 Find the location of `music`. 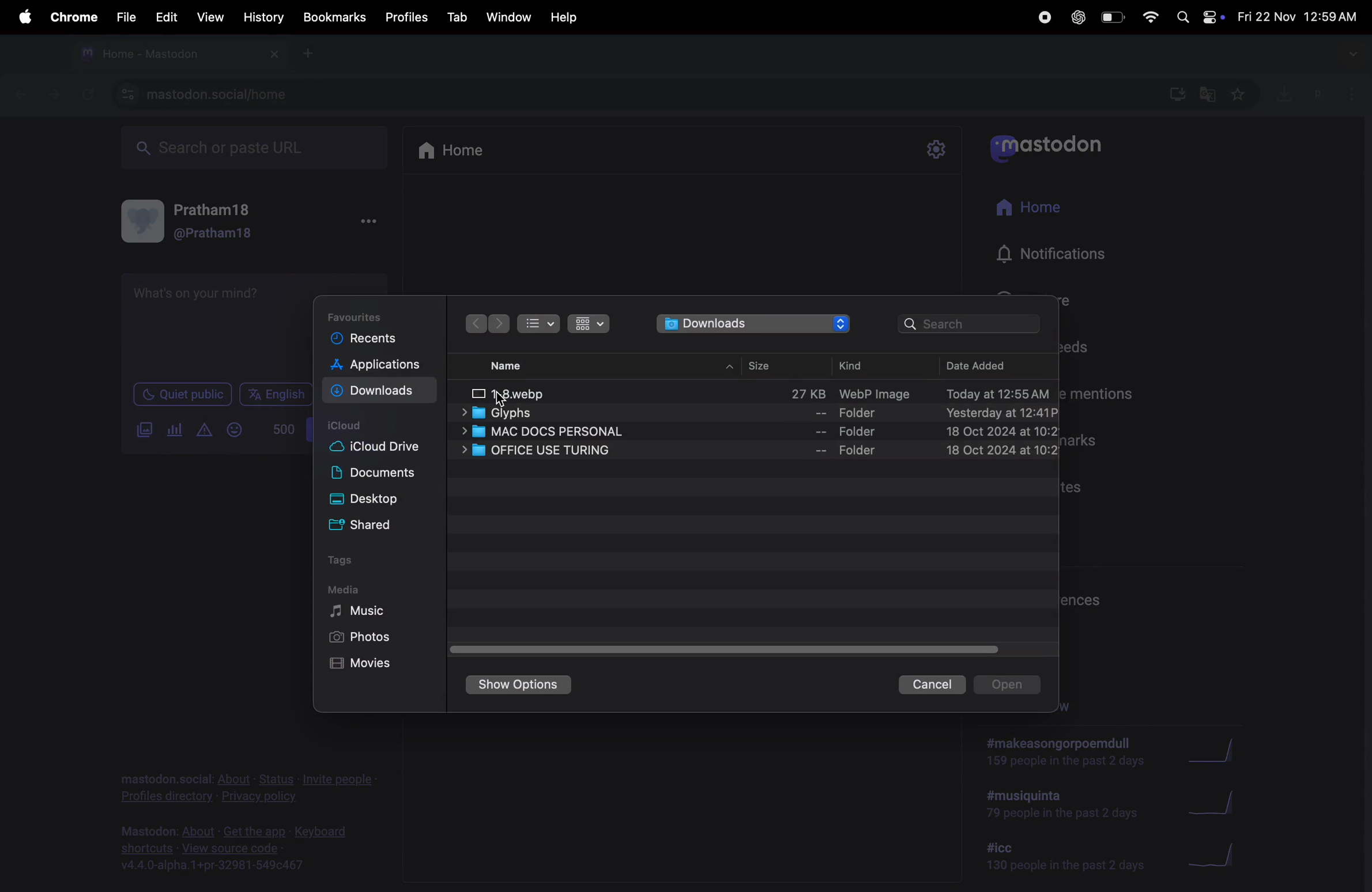

music is located at coordinates (362, 610).